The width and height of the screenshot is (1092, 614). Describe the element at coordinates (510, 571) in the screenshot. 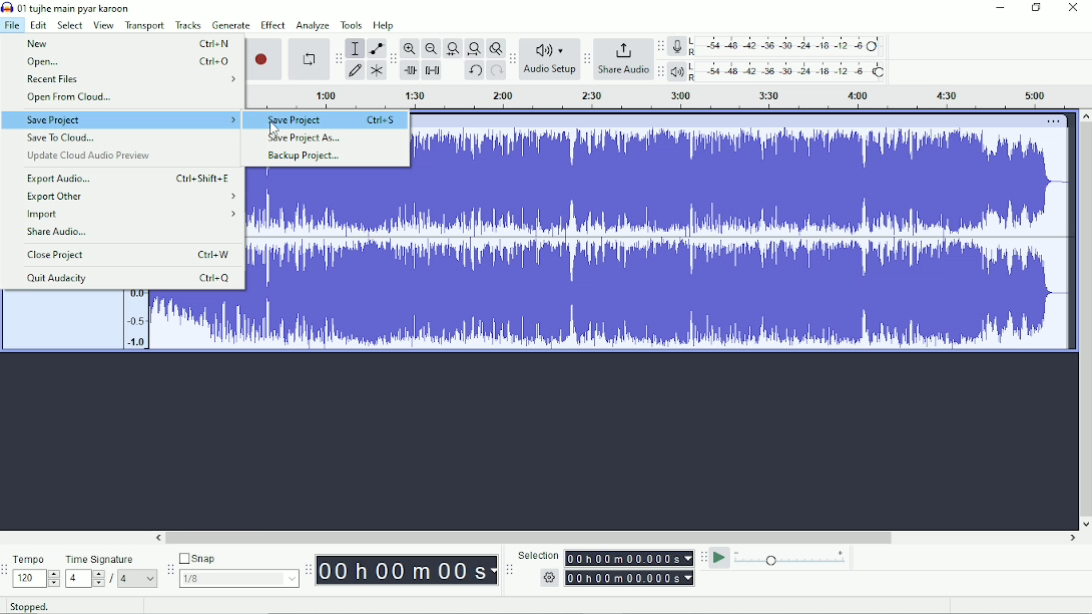

I see `Audacity selection toolbar` at that location.